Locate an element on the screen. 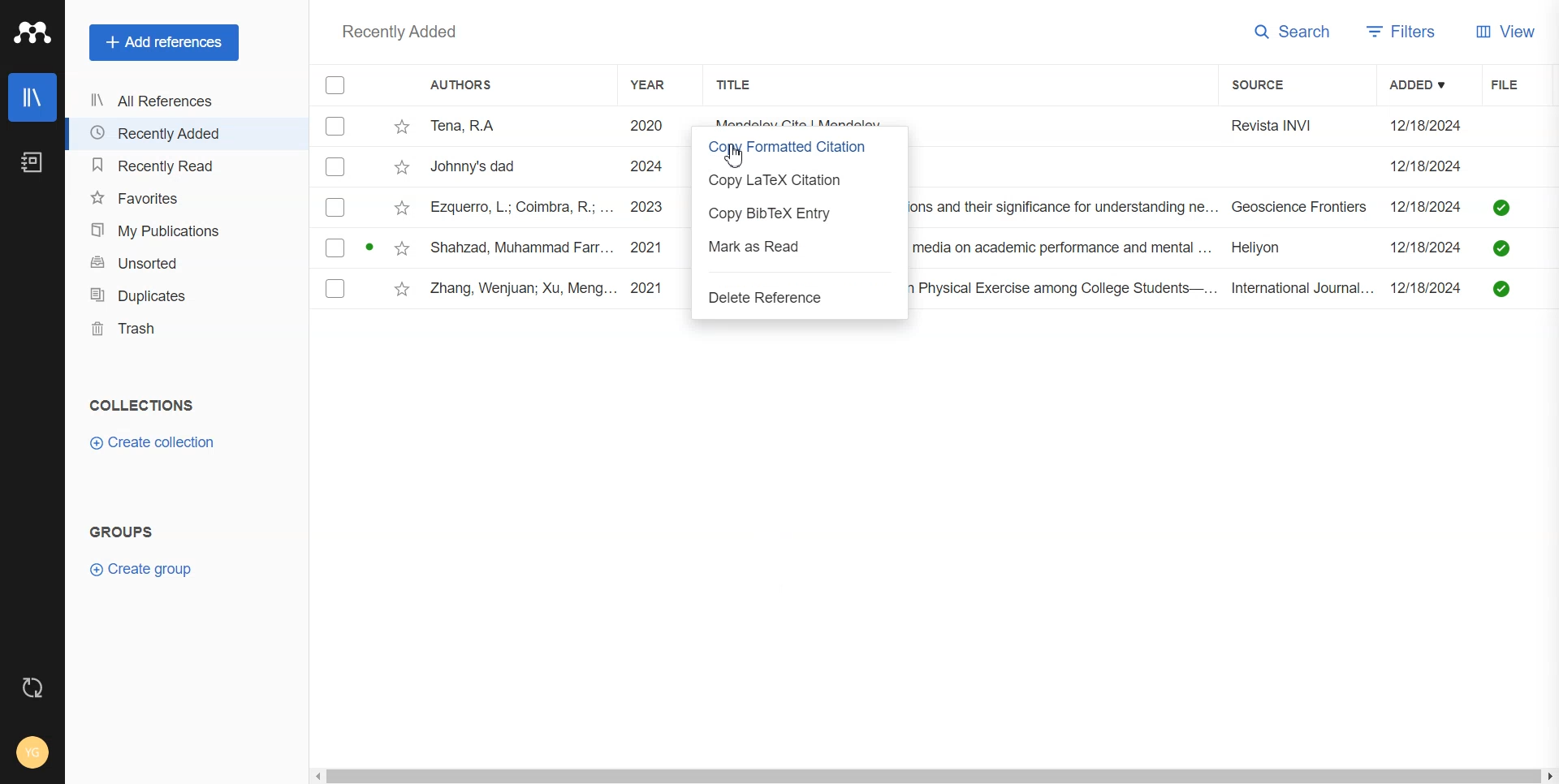  Copy Latex Citation is located at coordinates (795, 179).